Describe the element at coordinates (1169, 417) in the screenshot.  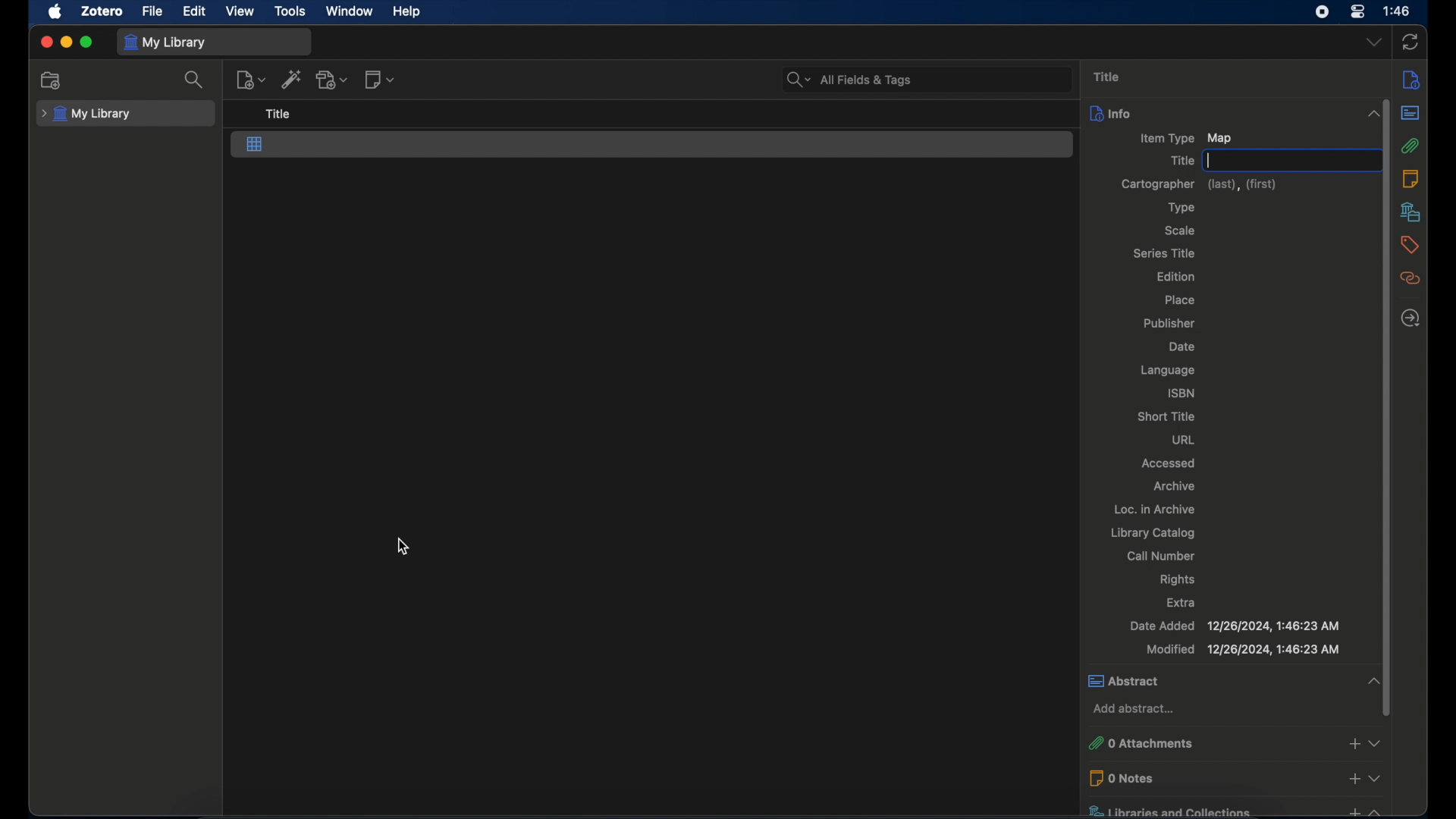
I see `short title` at that location.